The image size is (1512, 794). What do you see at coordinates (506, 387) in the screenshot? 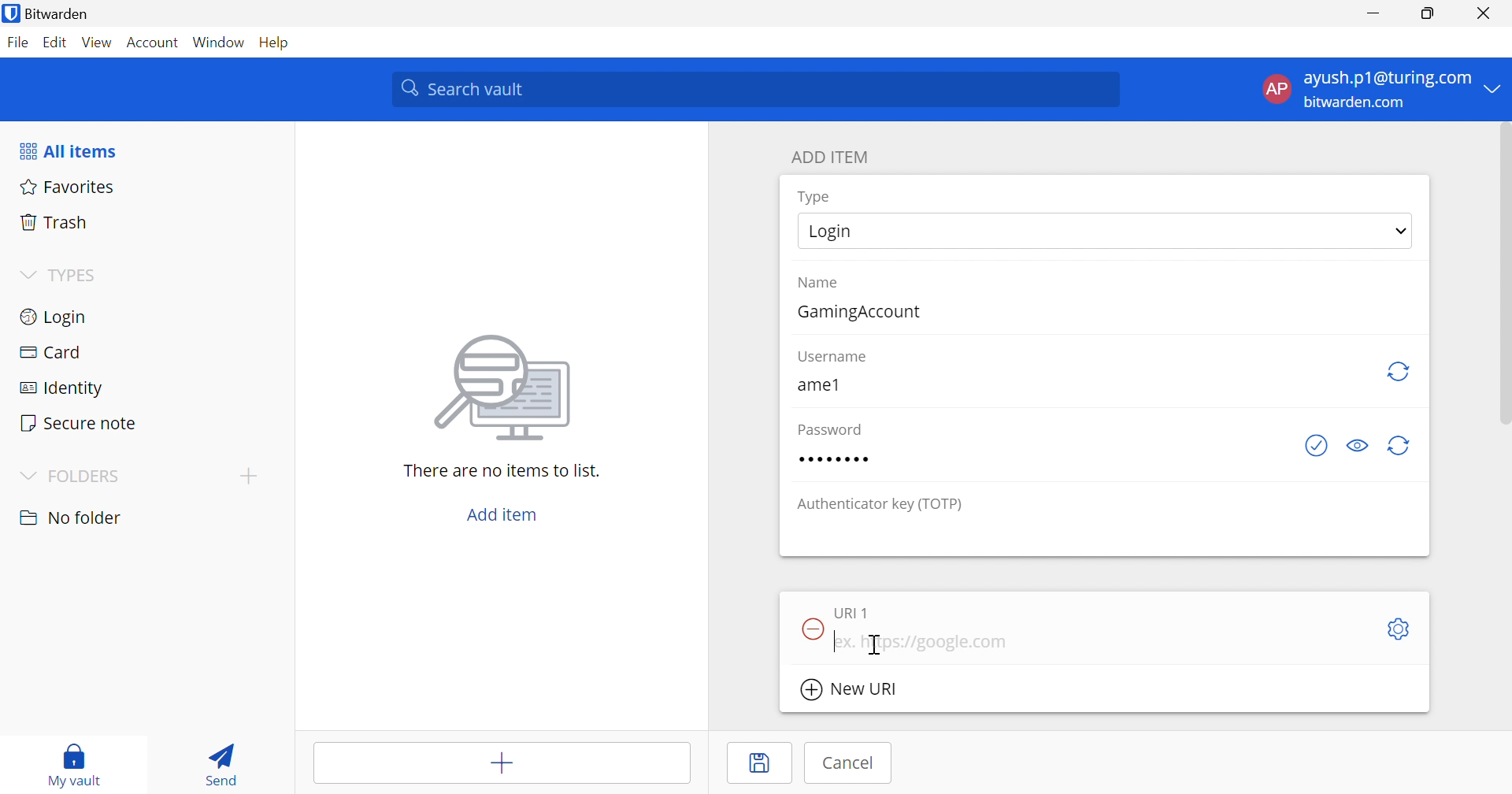
I see `Image` at bounding box center [506, 387].